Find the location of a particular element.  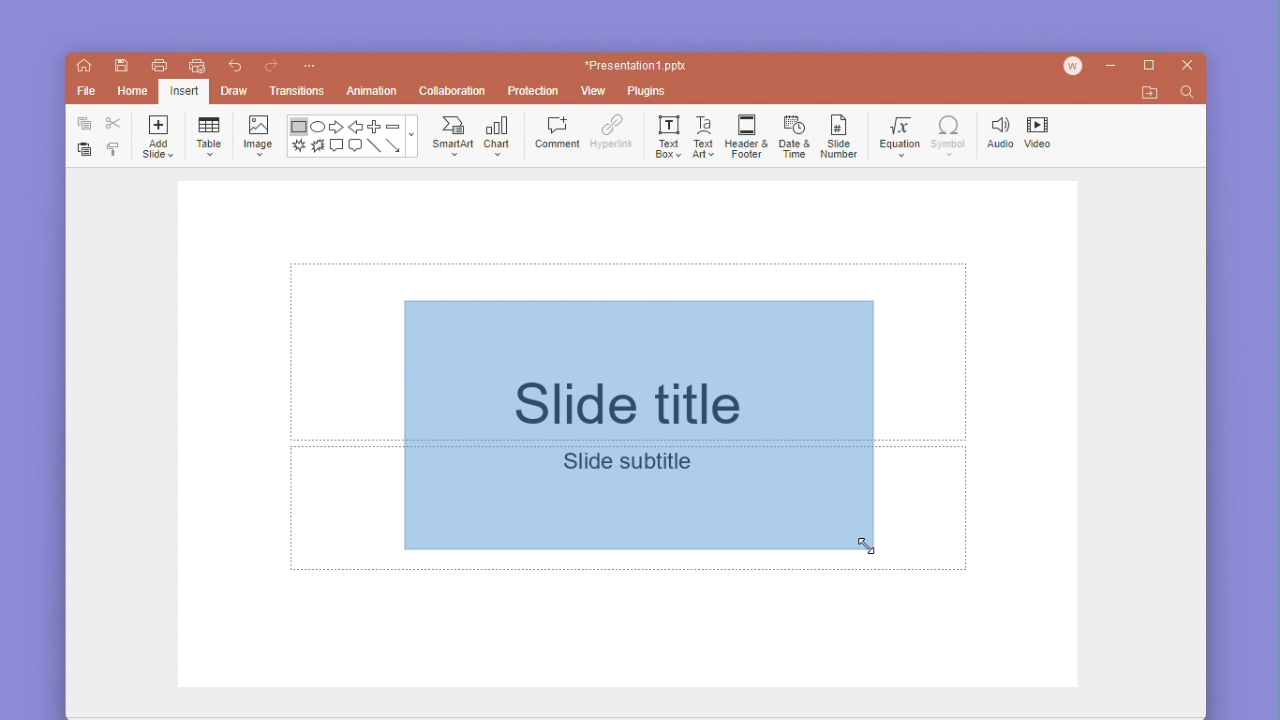

undo is located at coordinates (233, 65).